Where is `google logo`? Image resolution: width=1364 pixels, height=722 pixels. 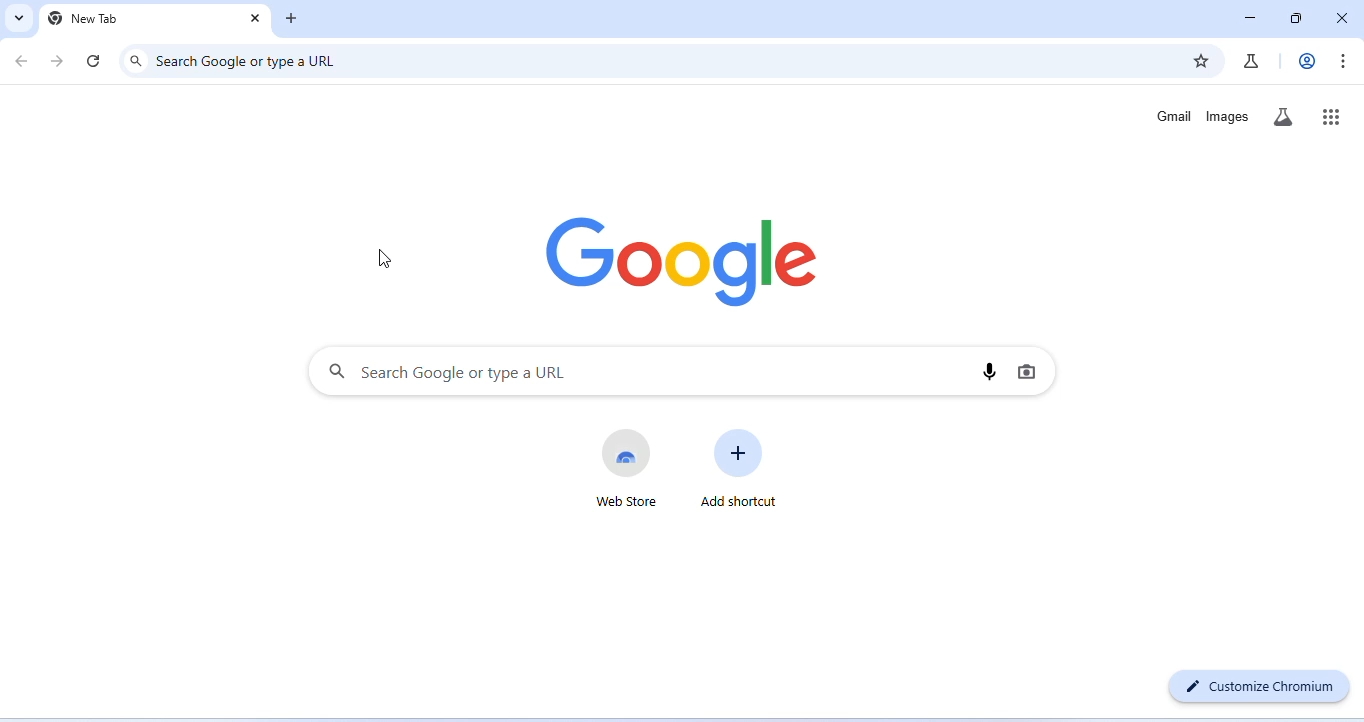 google logo is located at coordinates (680, 265).